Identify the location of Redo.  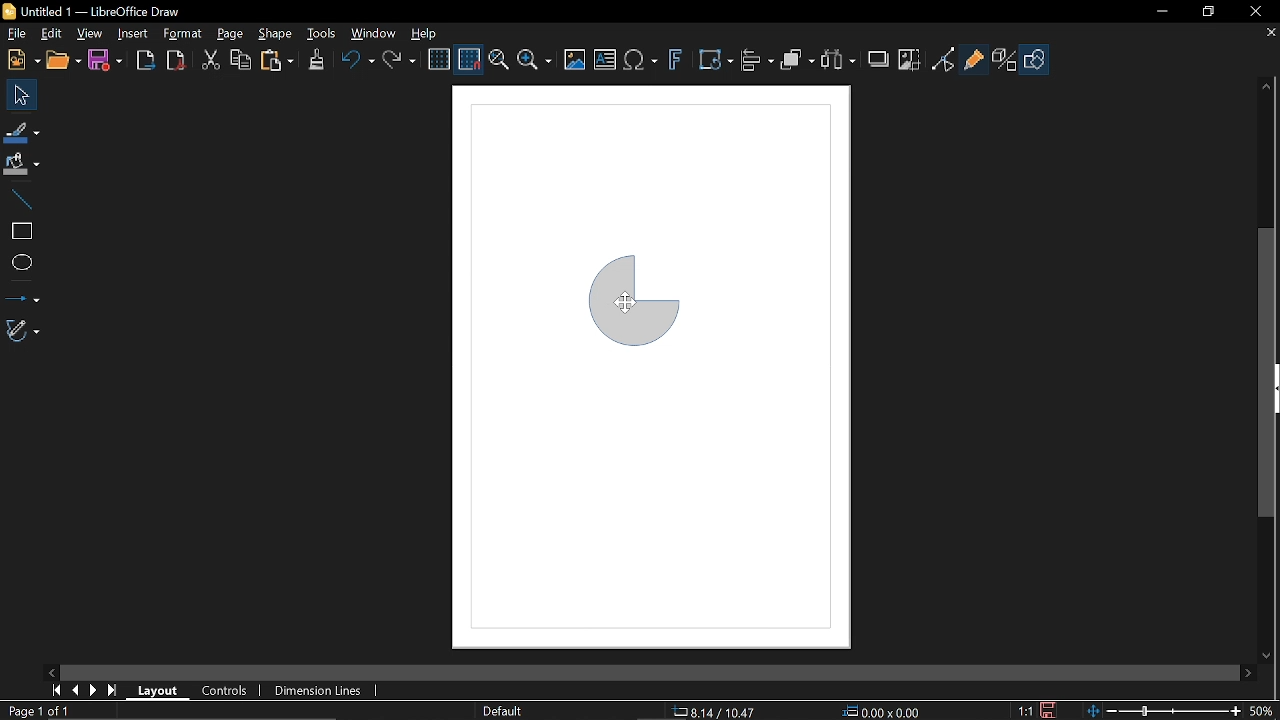
(398, 61).